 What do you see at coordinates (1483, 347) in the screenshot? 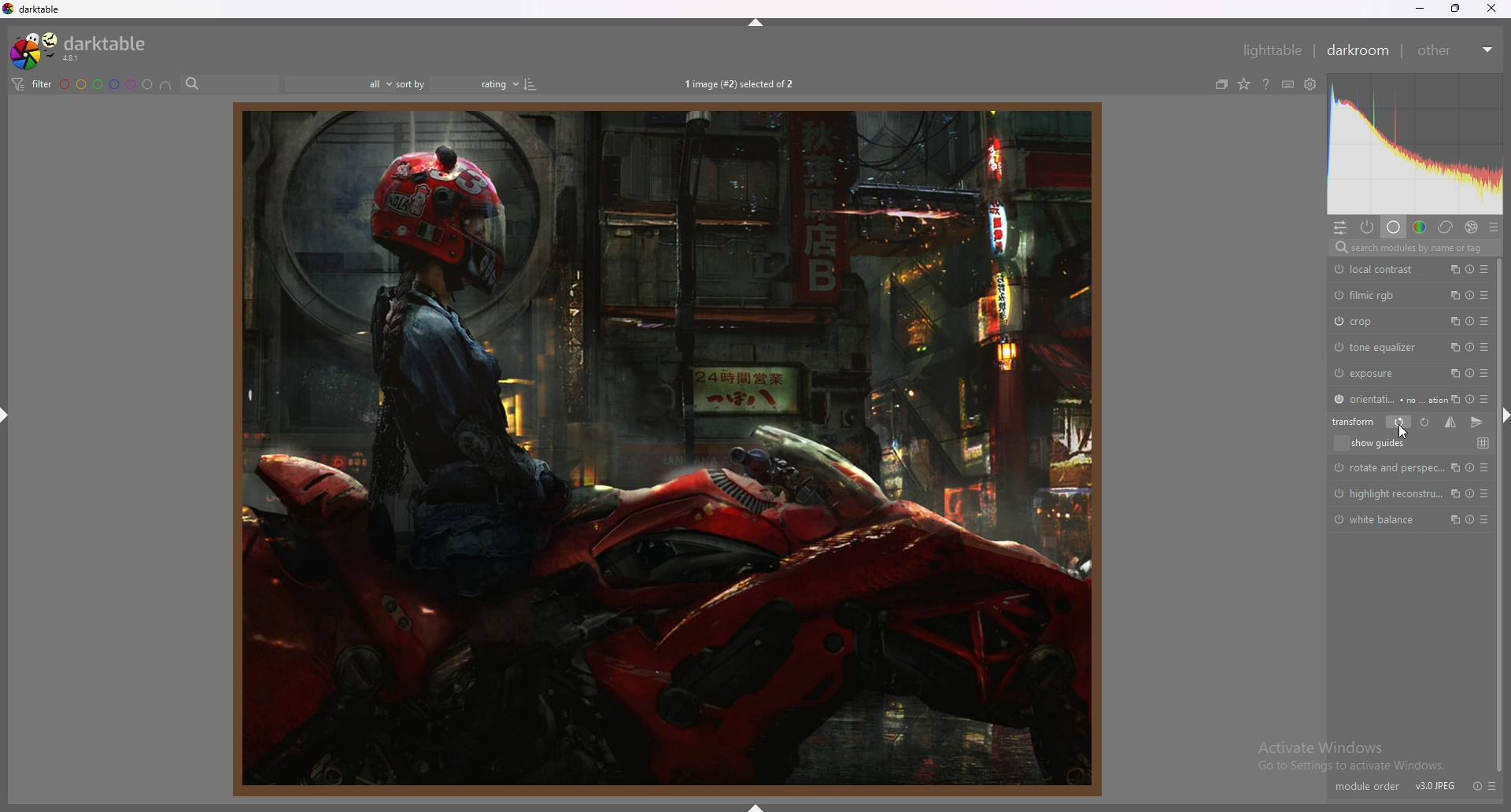
I see `presets` at bounding box center [1483, 347].